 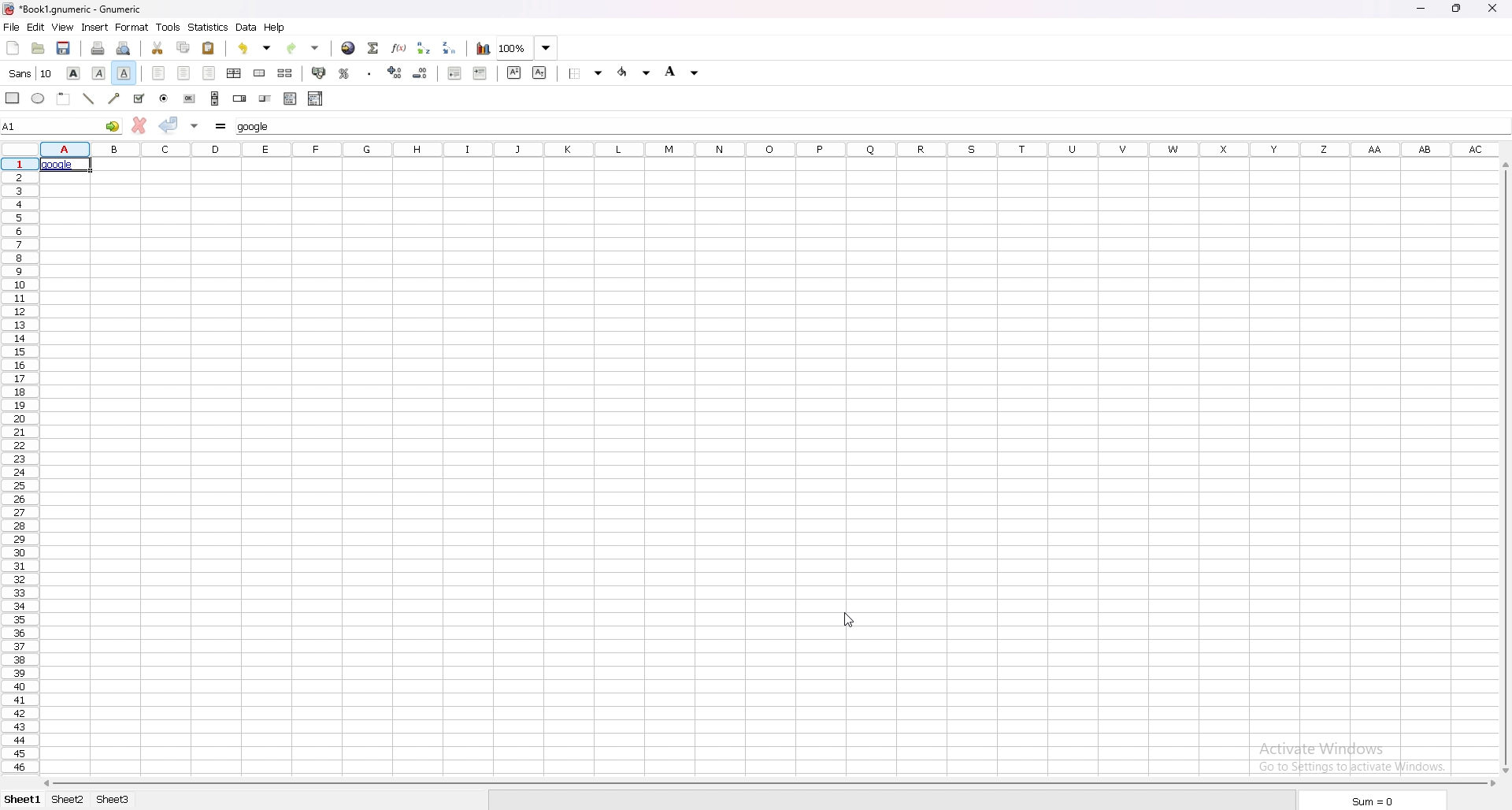 I want to click on file name, so click(x=74, y=9).